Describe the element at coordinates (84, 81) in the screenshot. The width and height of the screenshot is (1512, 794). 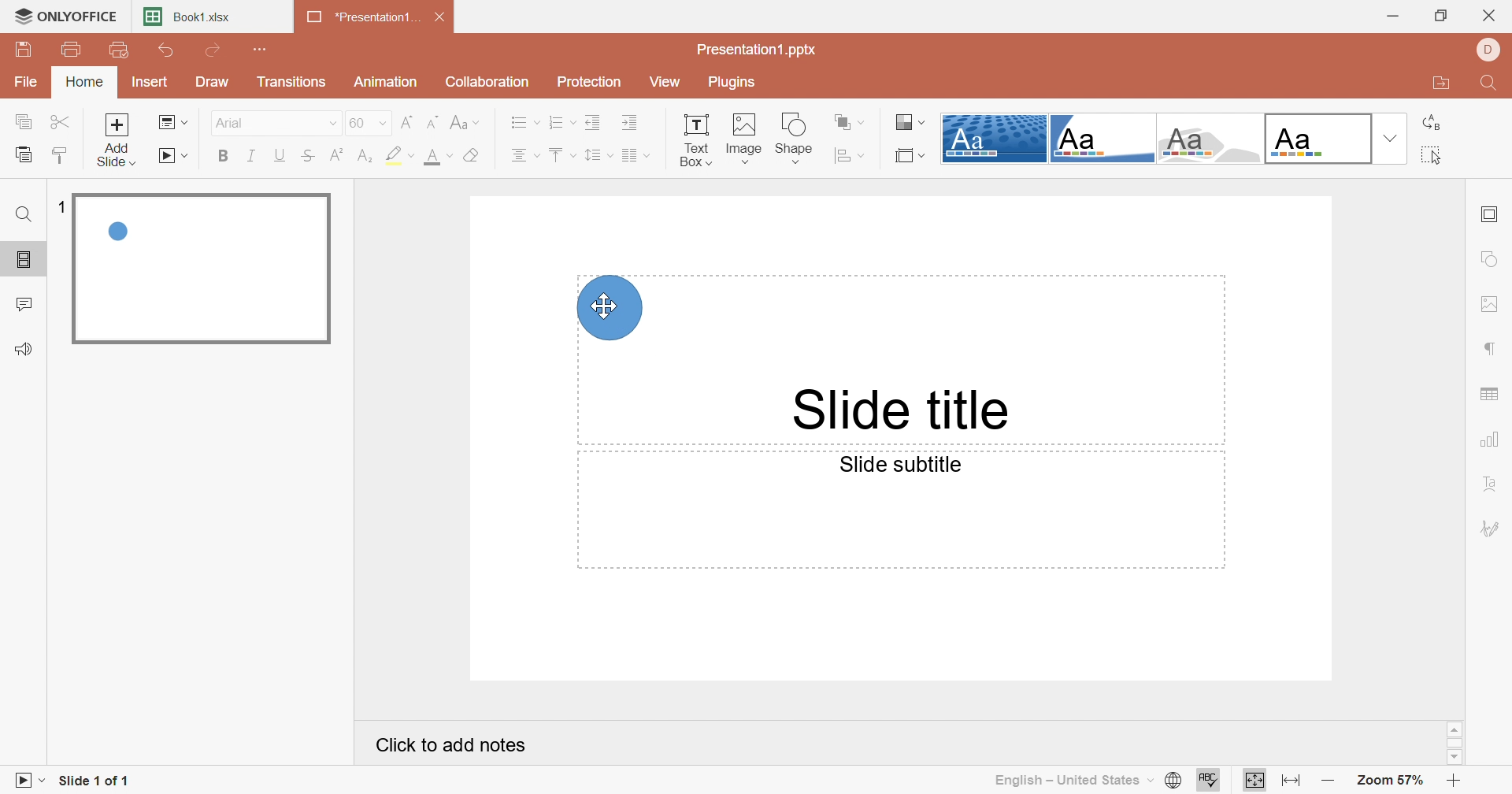
I see `Home` at that location.